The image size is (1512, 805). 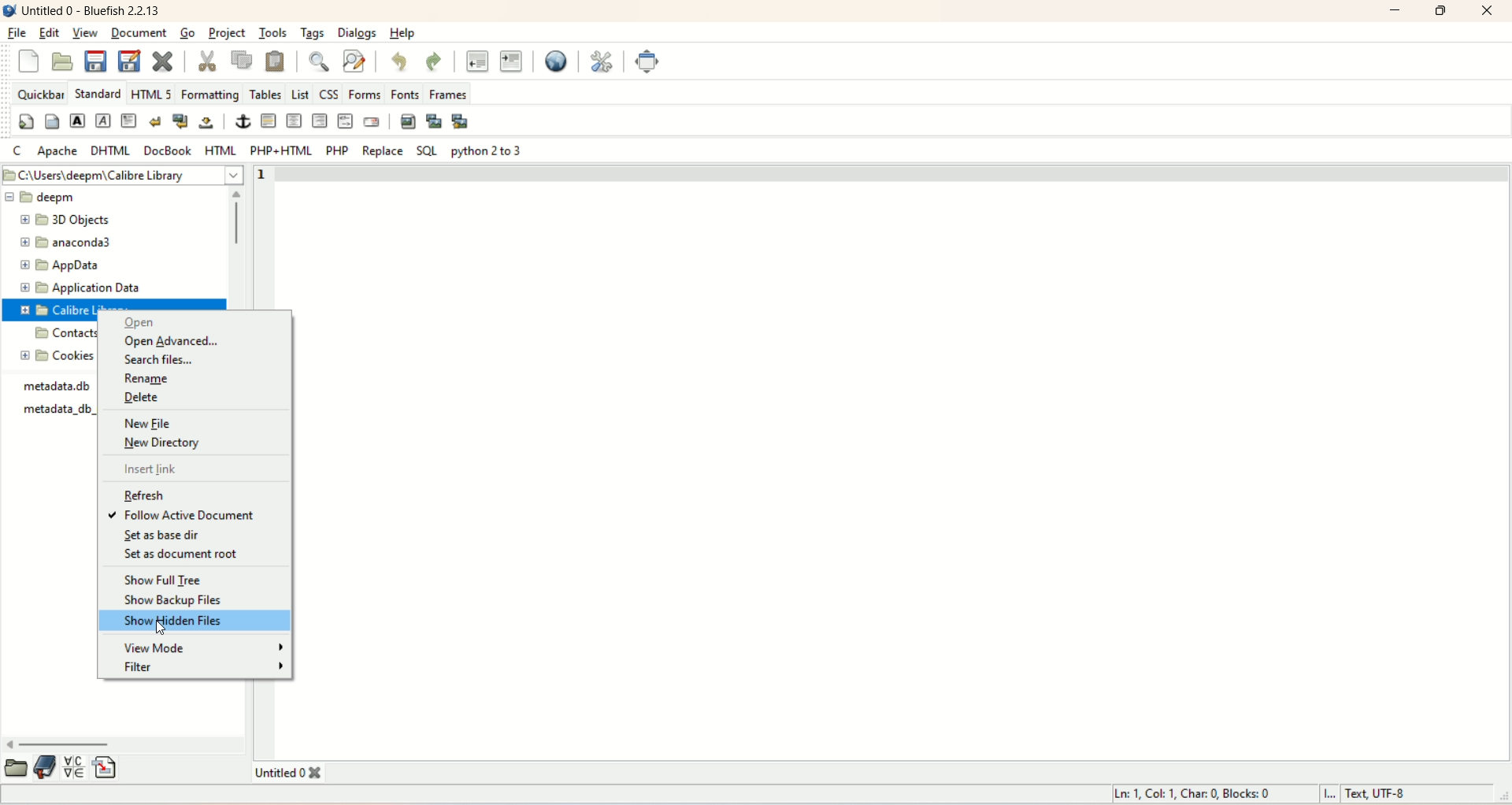 I want to click on tools, so click(x=272, y=32).